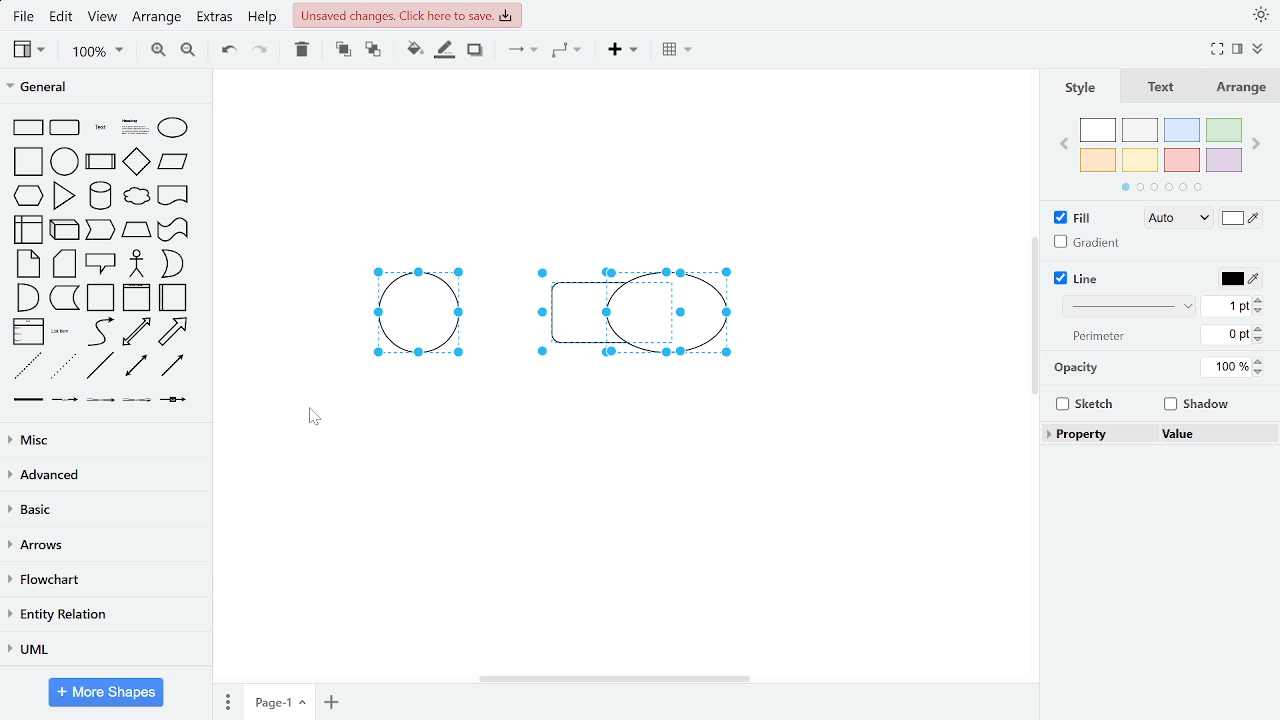  Describe the element at coordinates (1197, 404) in the screenshot. I see `Shadow` at that location.